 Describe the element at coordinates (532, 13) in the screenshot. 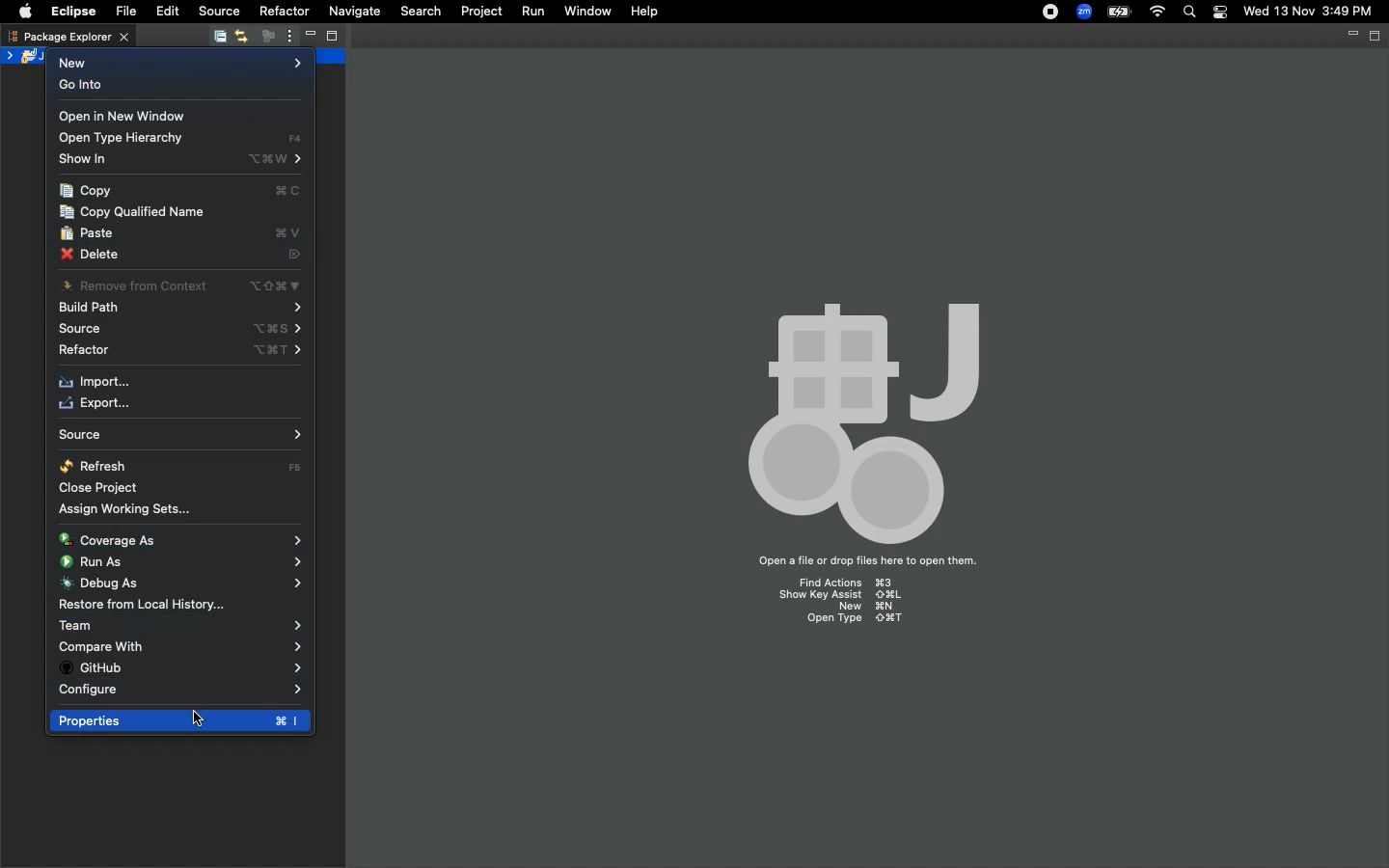

I see `Run` at that location.